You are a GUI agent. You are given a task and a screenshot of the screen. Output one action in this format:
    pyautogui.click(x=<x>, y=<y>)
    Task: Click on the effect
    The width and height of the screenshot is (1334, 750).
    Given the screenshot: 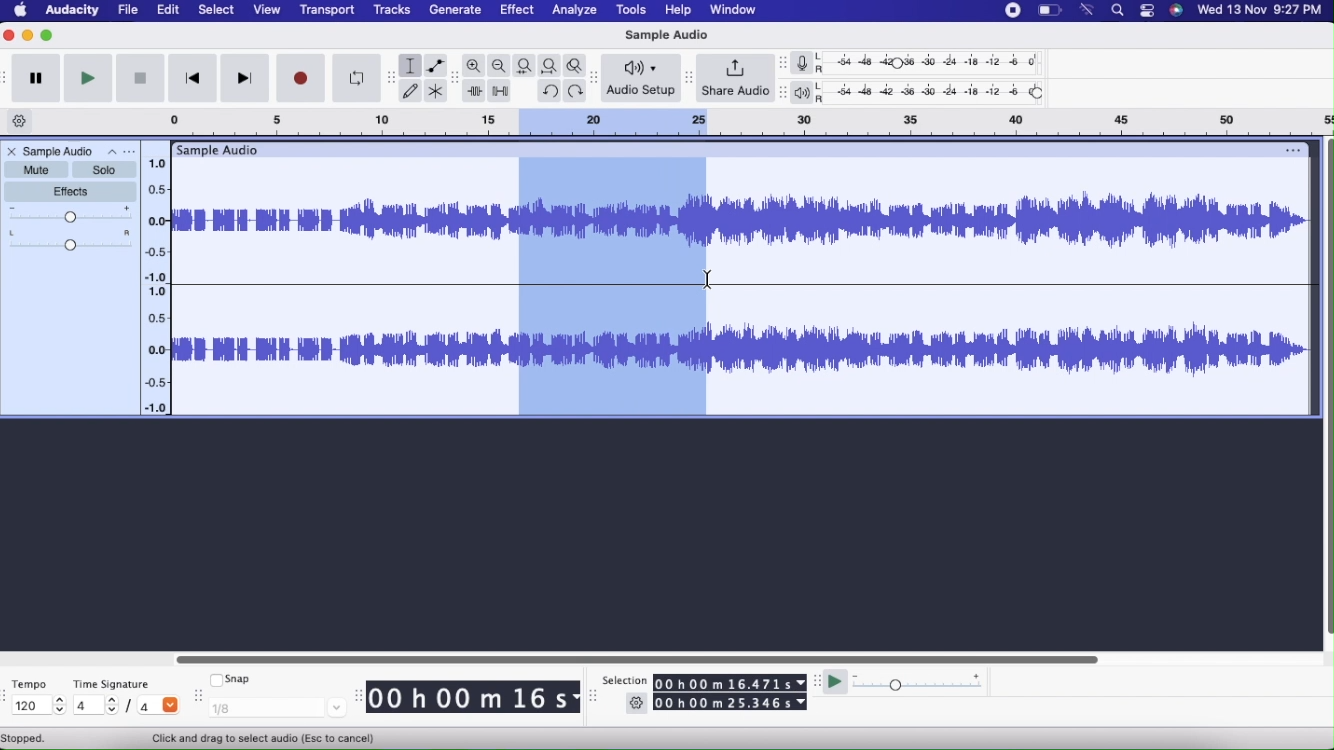 What is the action you would take?
    pyautogui.click(x=518, y=12)
    